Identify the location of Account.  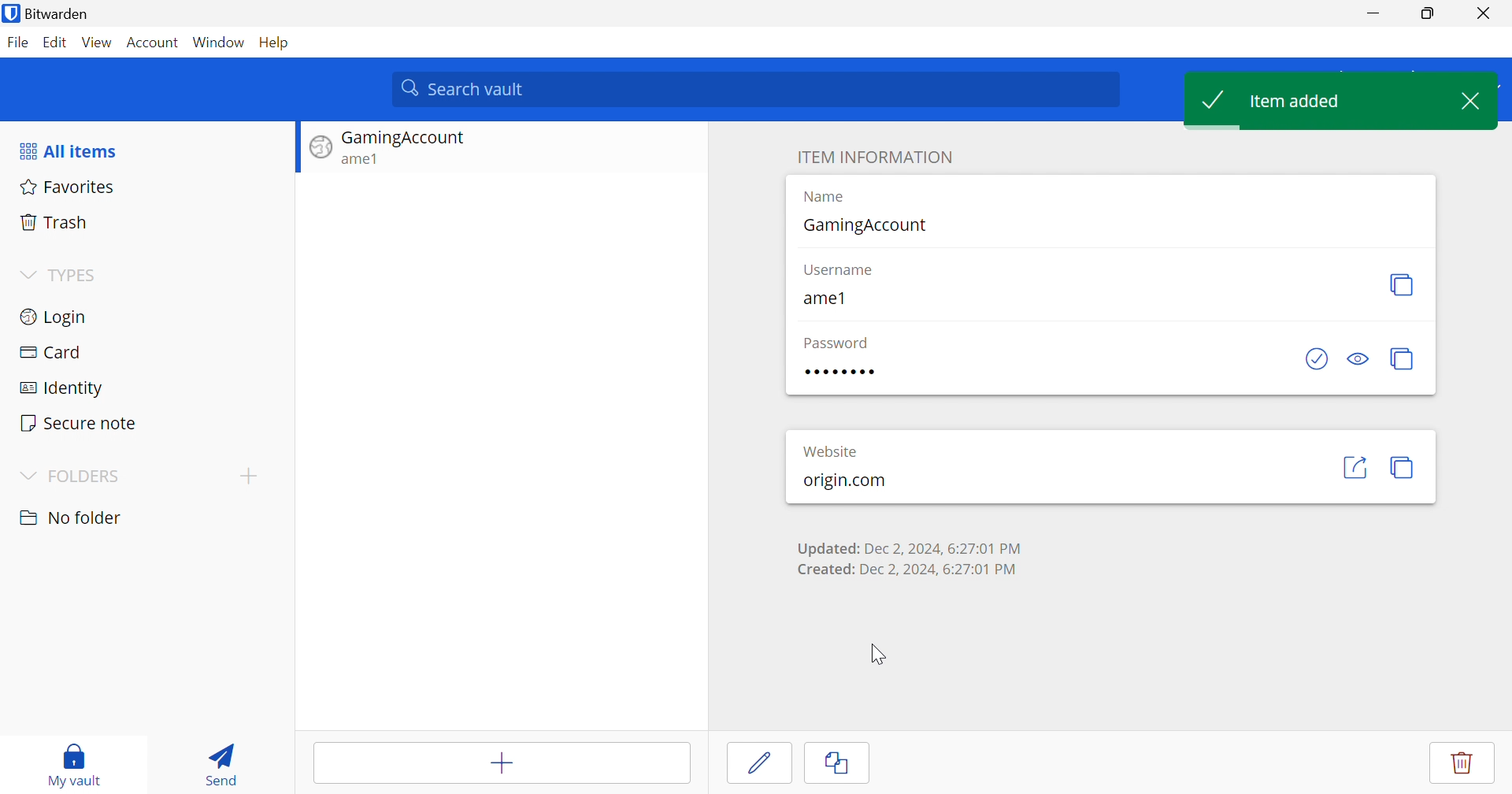
(154, 41).